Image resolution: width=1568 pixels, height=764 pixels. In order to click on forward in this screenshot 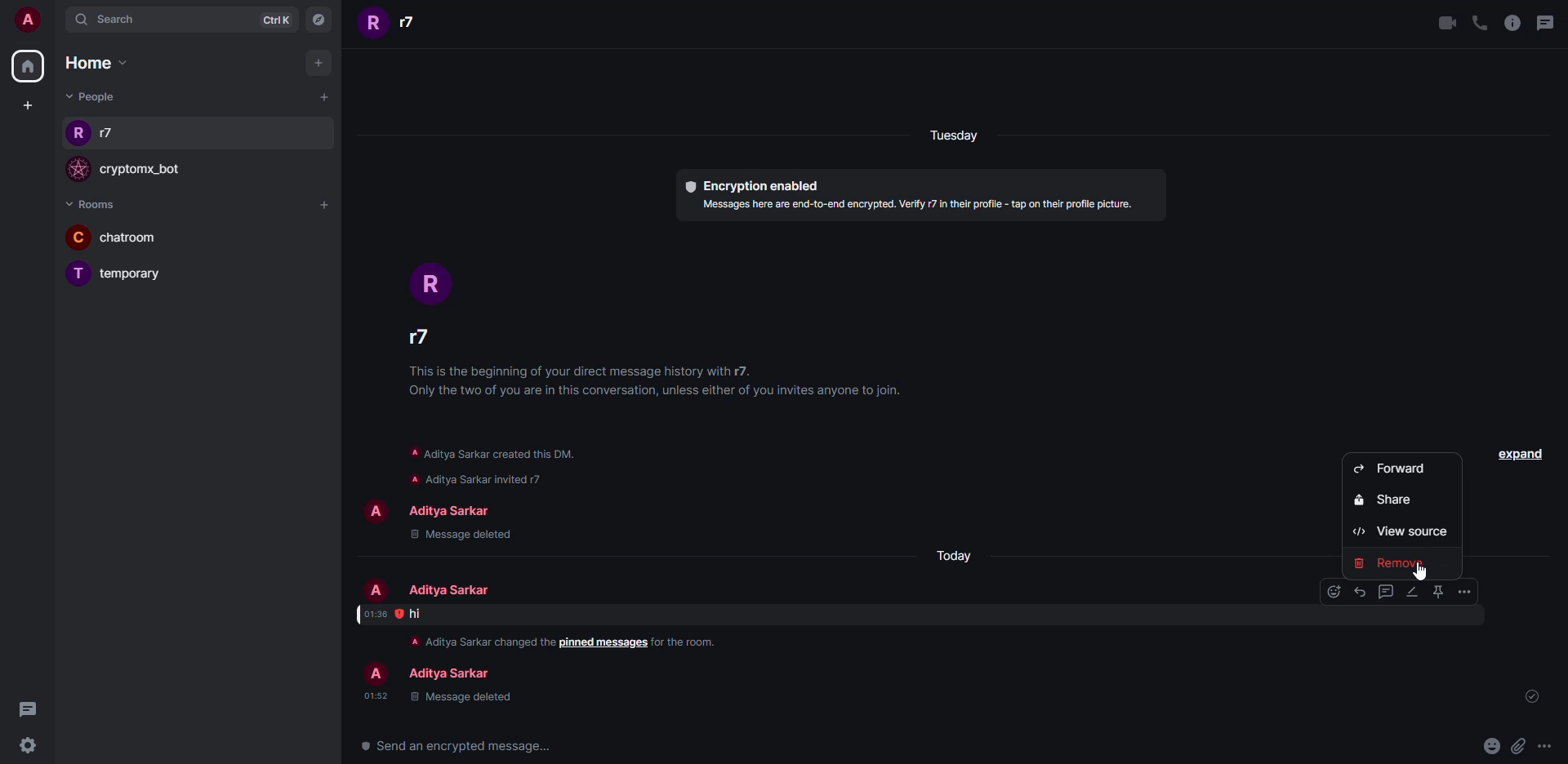, I will do `click(1392, 468)`.